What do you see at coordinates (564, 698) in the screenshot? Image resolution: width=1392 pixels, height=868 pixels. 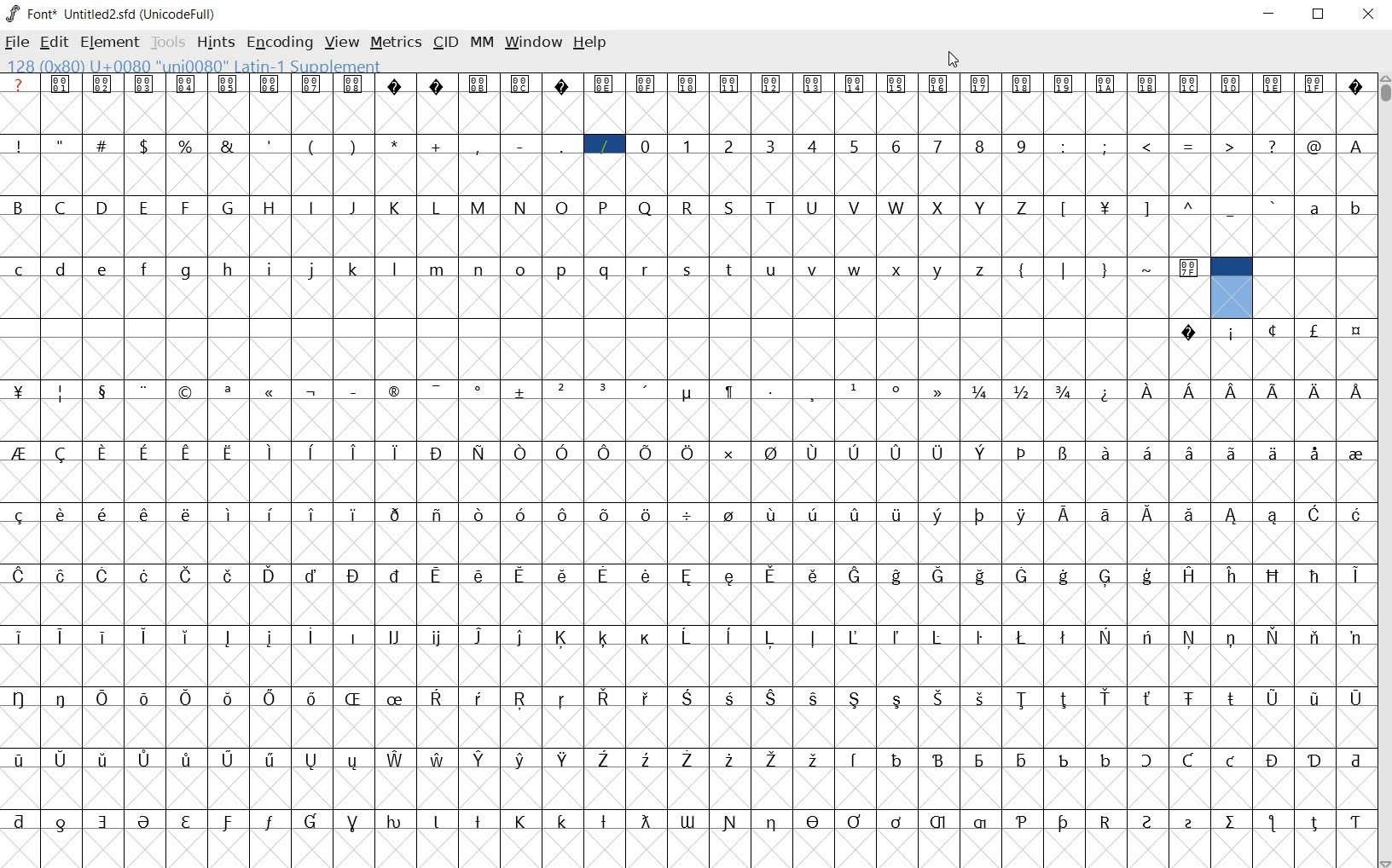 I see `Symbol` at bounding box center [564, 698].